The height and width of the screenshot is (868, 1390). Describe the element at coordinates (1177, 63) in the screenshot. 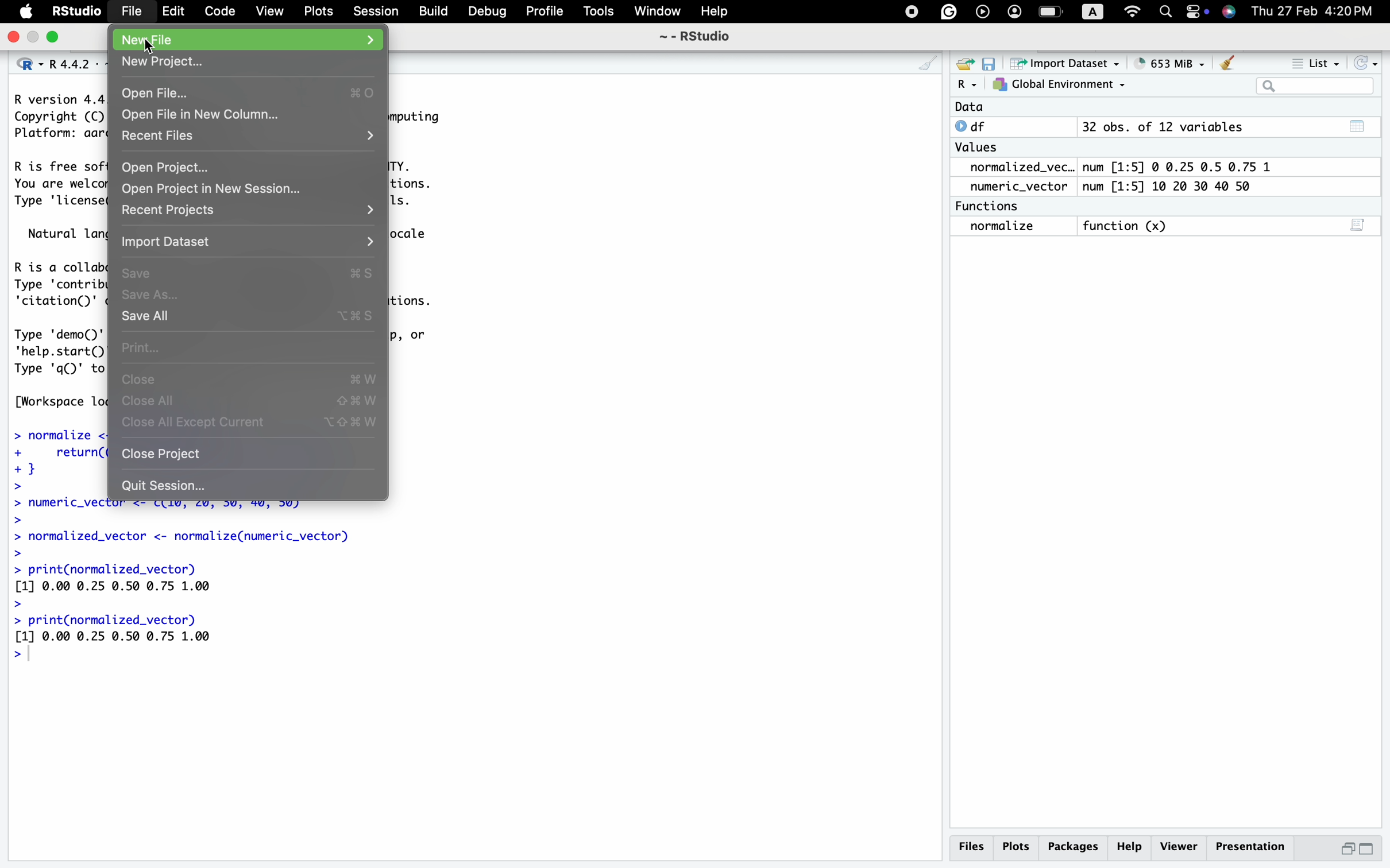

I see `653 MB` at that location.